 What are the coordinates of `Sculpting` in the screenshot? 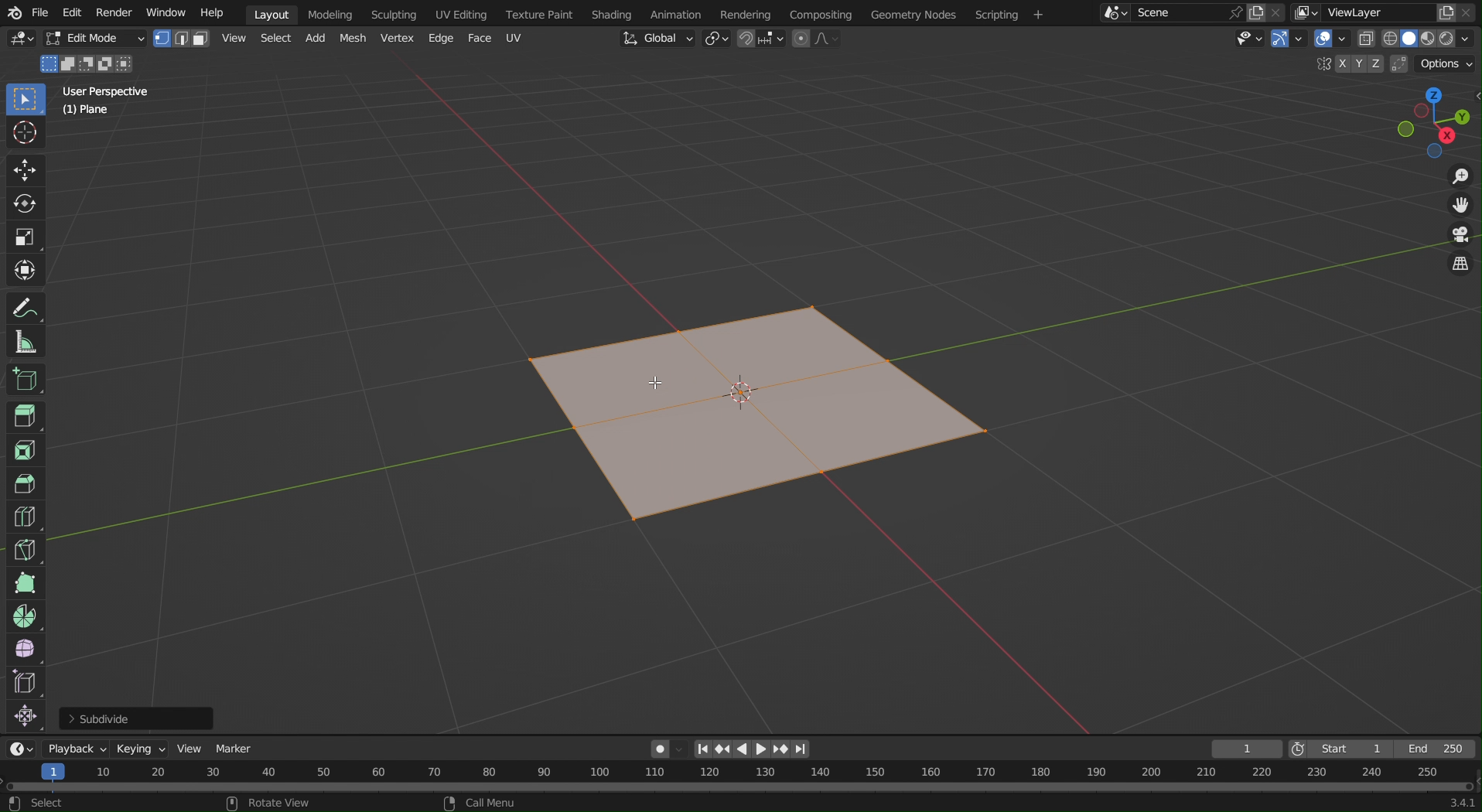 It's located at (394, 13).